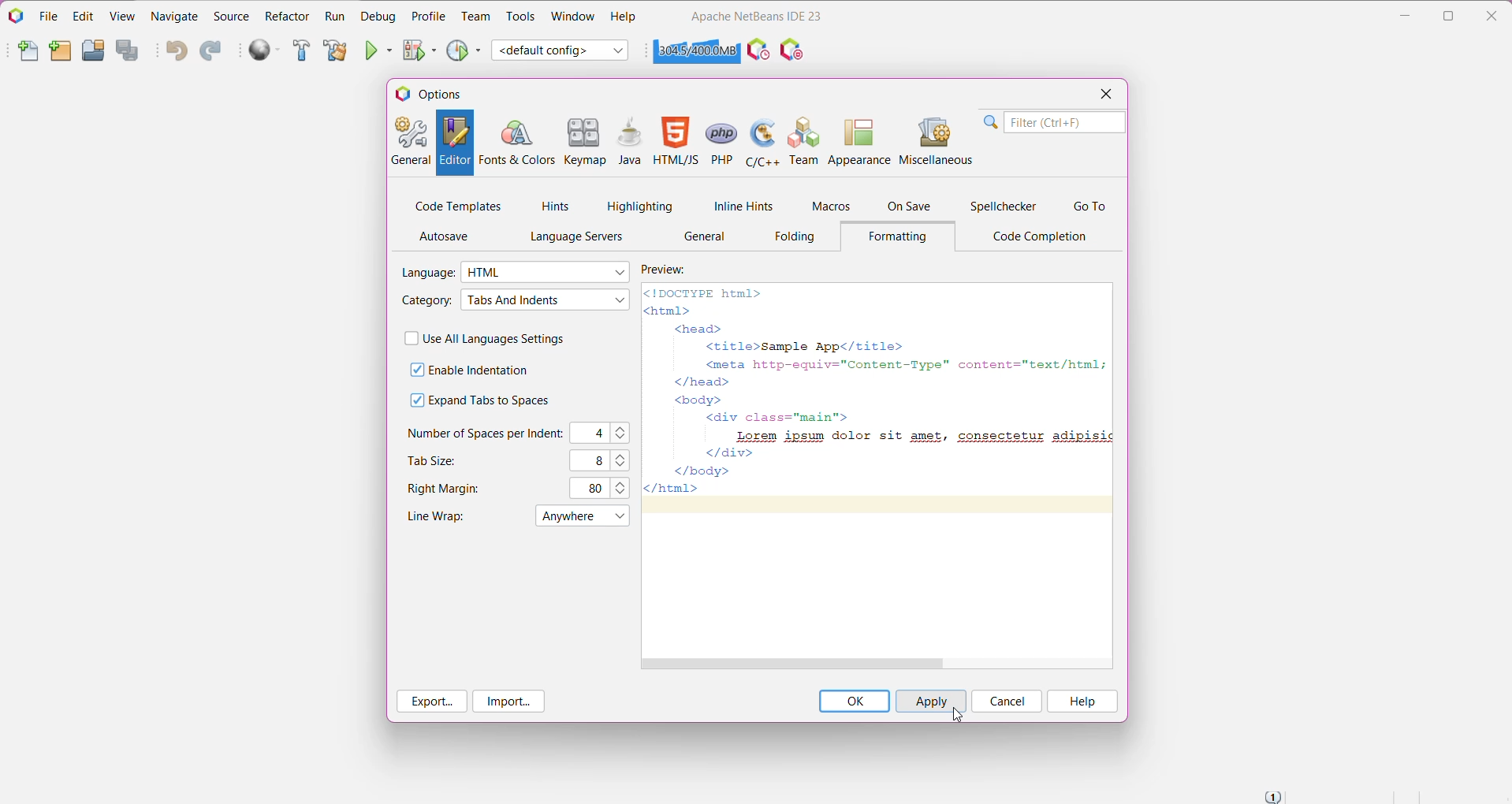 The width and height of the screenshot is (1512, 804). What do you see at coordinates (860, 140) in the screenshot?
I see `Appearance` at bounding box center [860, 140].